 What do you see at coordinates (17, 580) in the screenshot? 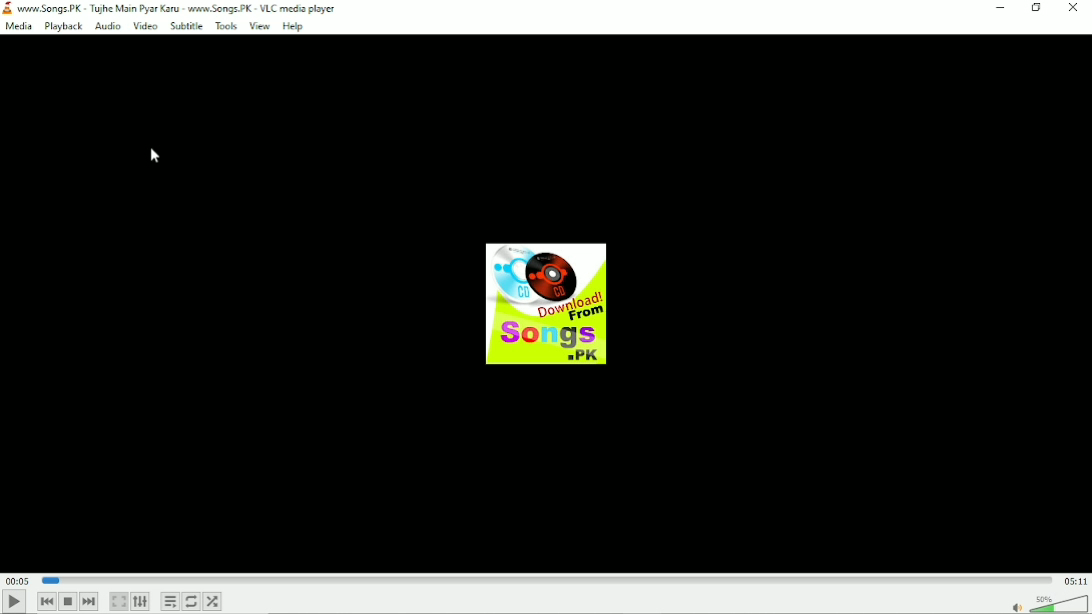
I see `Elapsed time` at bounding box center [17, 580].